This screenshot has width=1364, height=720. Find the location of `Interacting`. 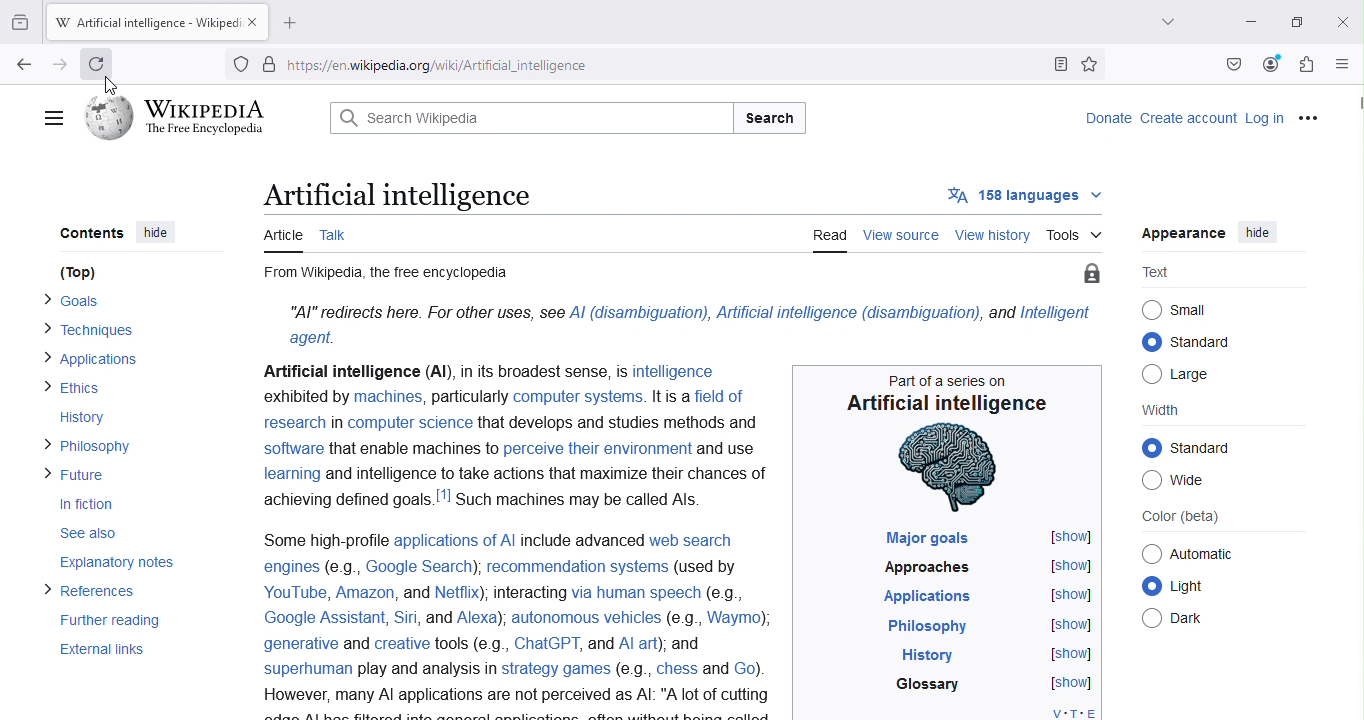

Interacting is located at coordinates (528, 591).